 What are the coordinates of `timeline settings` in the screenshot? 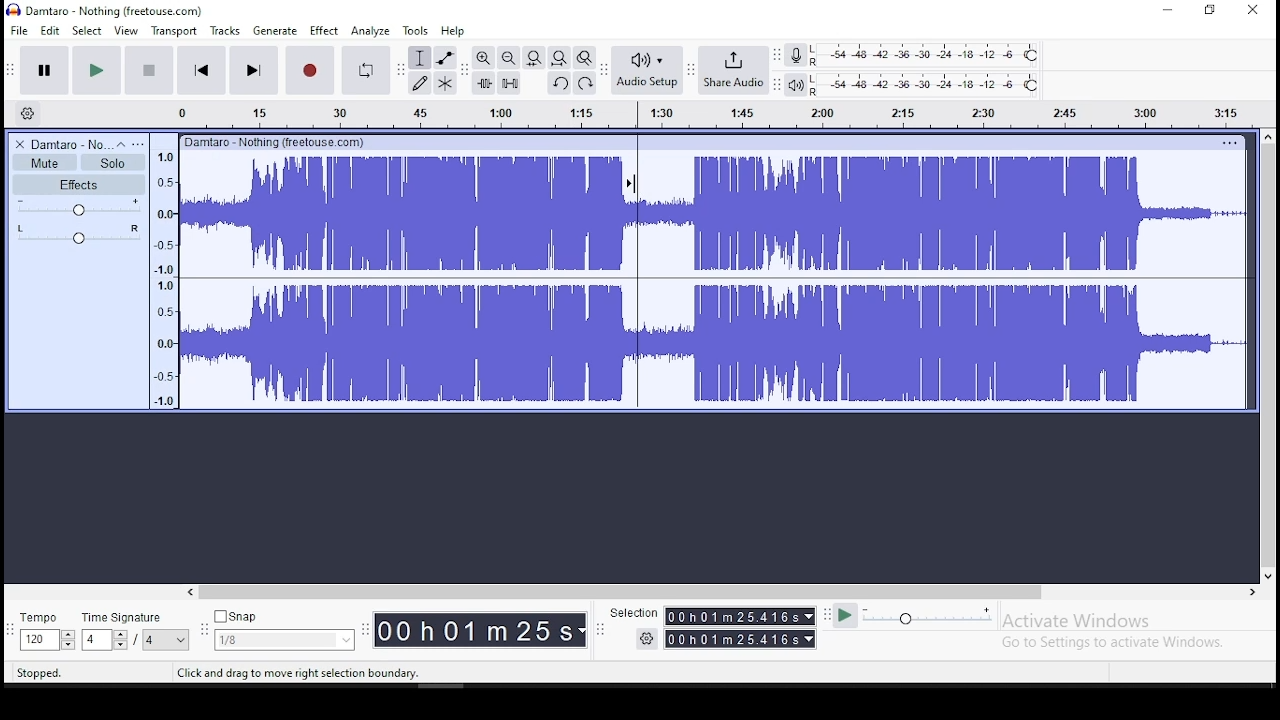 It's located at (28, 114).